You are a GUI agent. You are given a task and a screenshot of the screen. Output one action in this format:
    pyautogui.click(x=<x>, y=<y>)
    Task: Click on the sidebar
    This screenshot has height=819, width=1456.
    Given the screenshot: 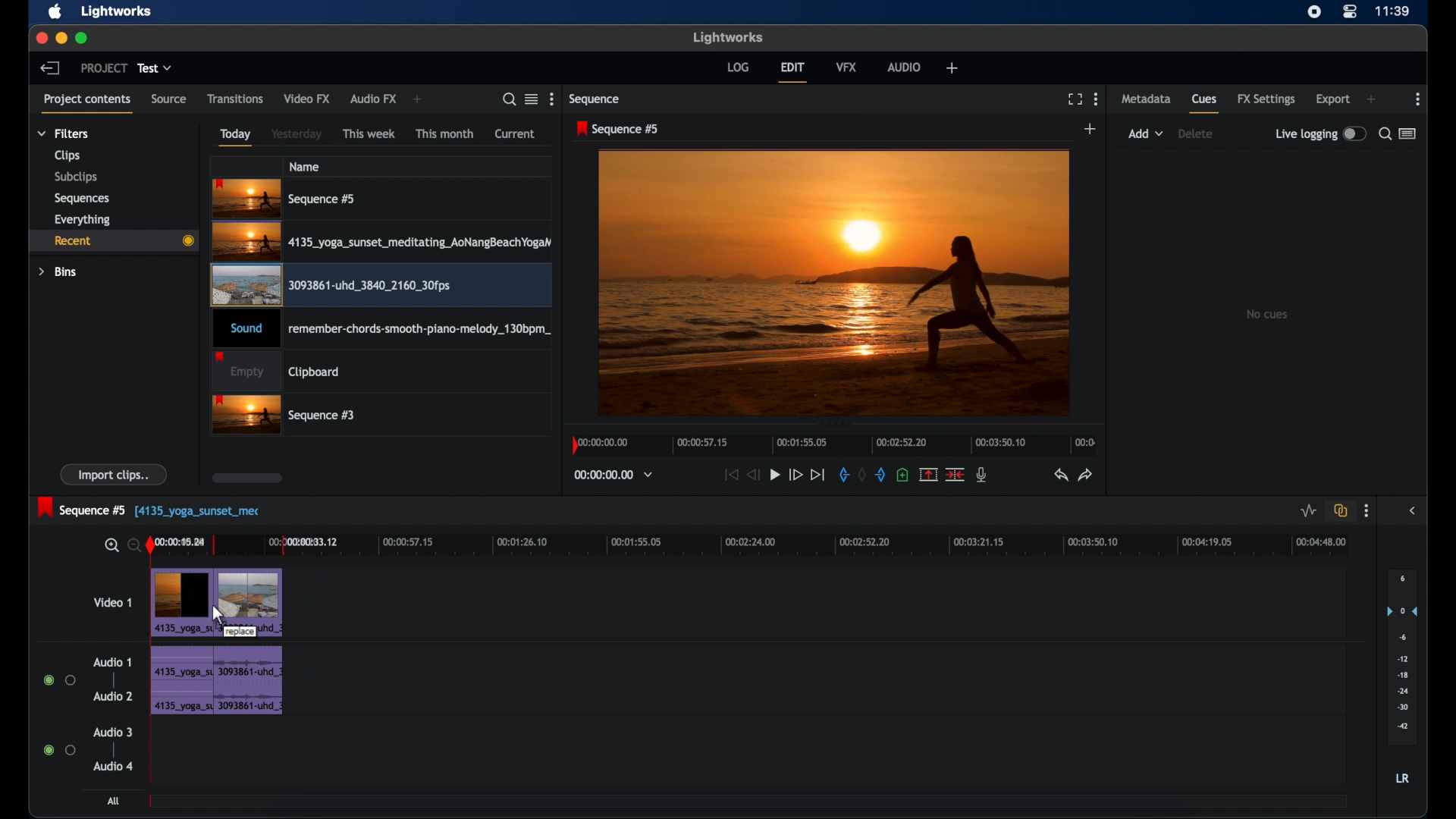 What is the action you would take?
    pyautogui.click(x=1412, y=511)
    